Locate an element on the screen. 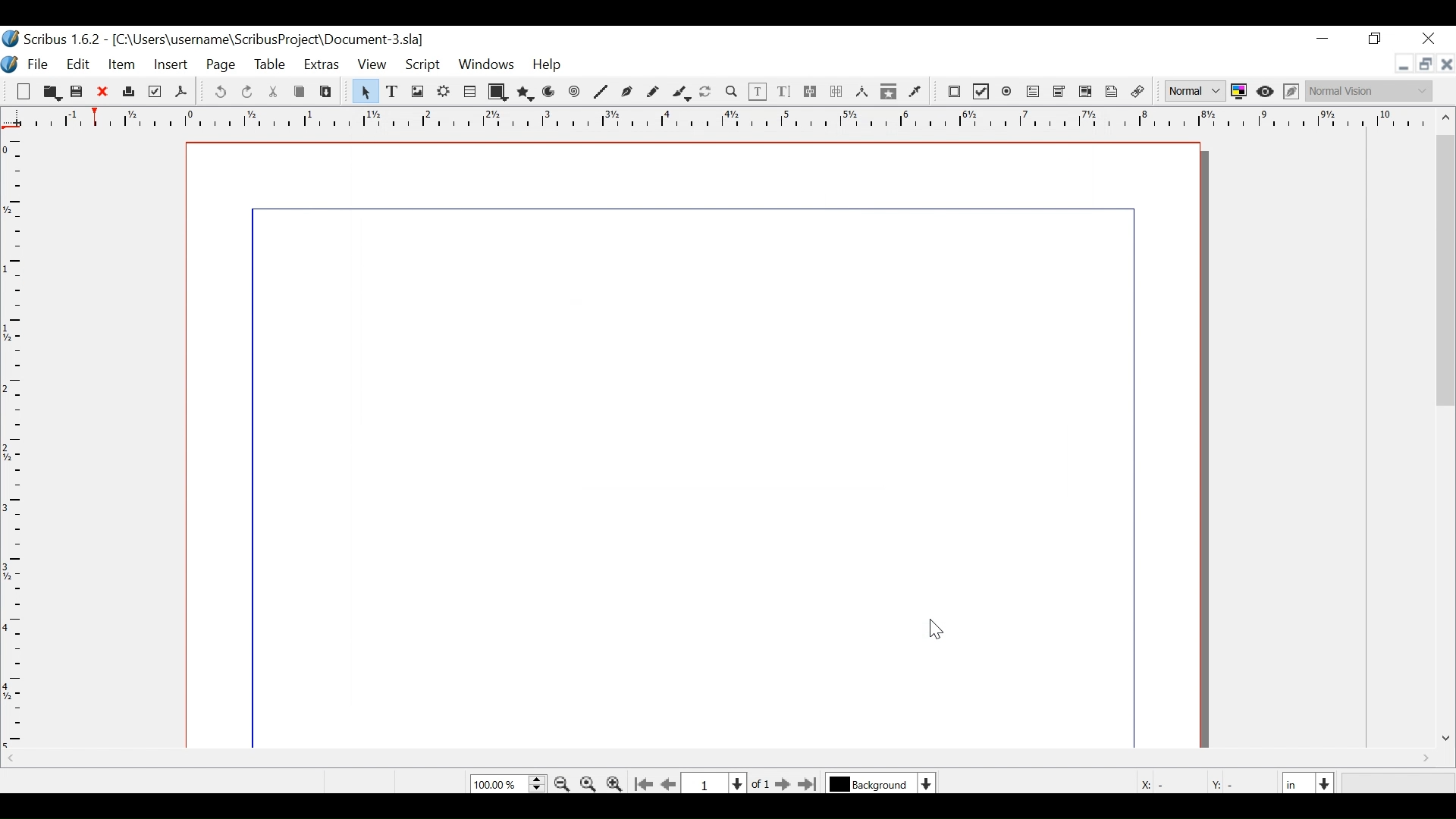  X: is located at coordinates (1144, 782).